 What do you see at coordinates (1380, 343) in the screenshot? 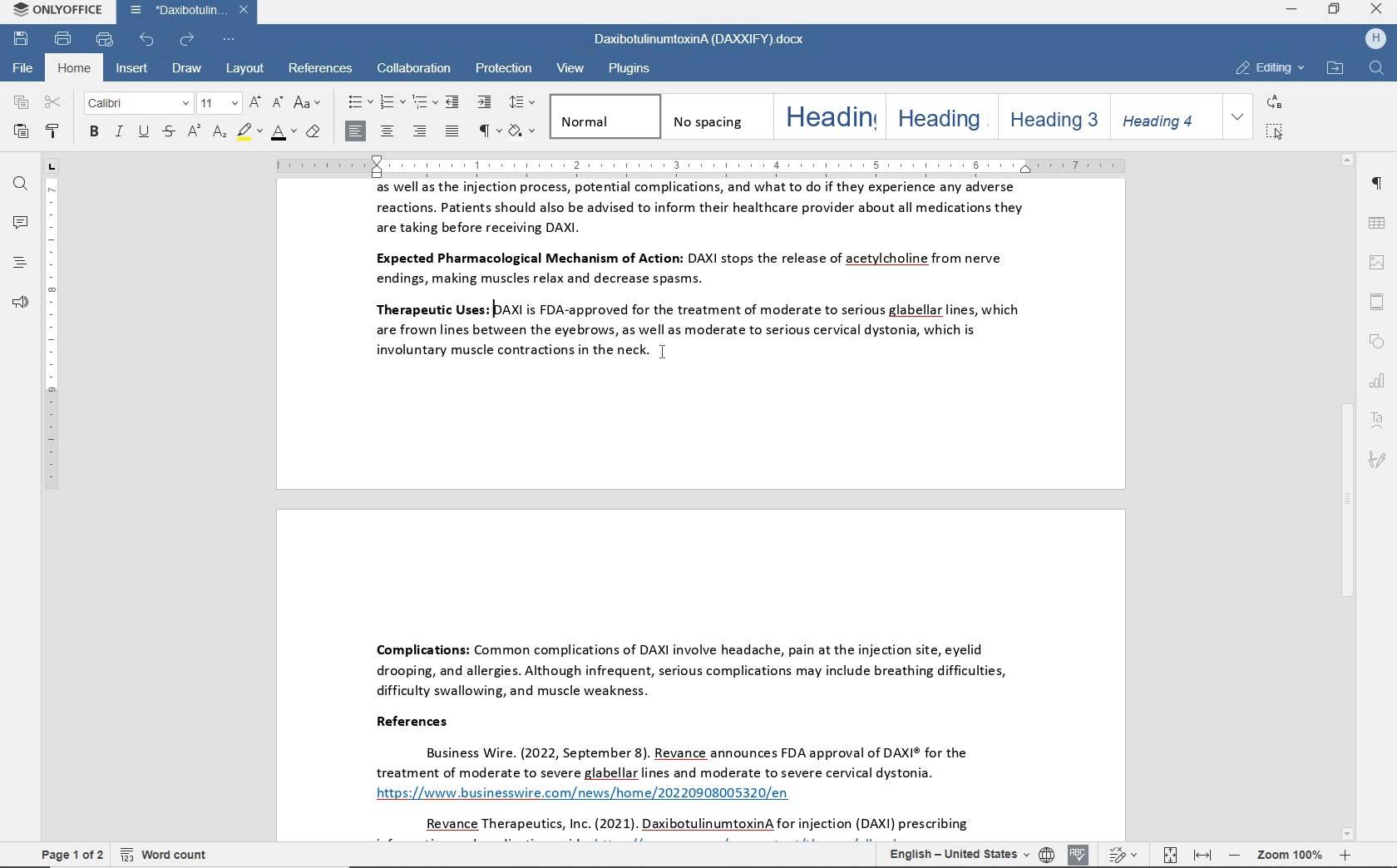
I see `shape` at bounding box center [1380, 343].